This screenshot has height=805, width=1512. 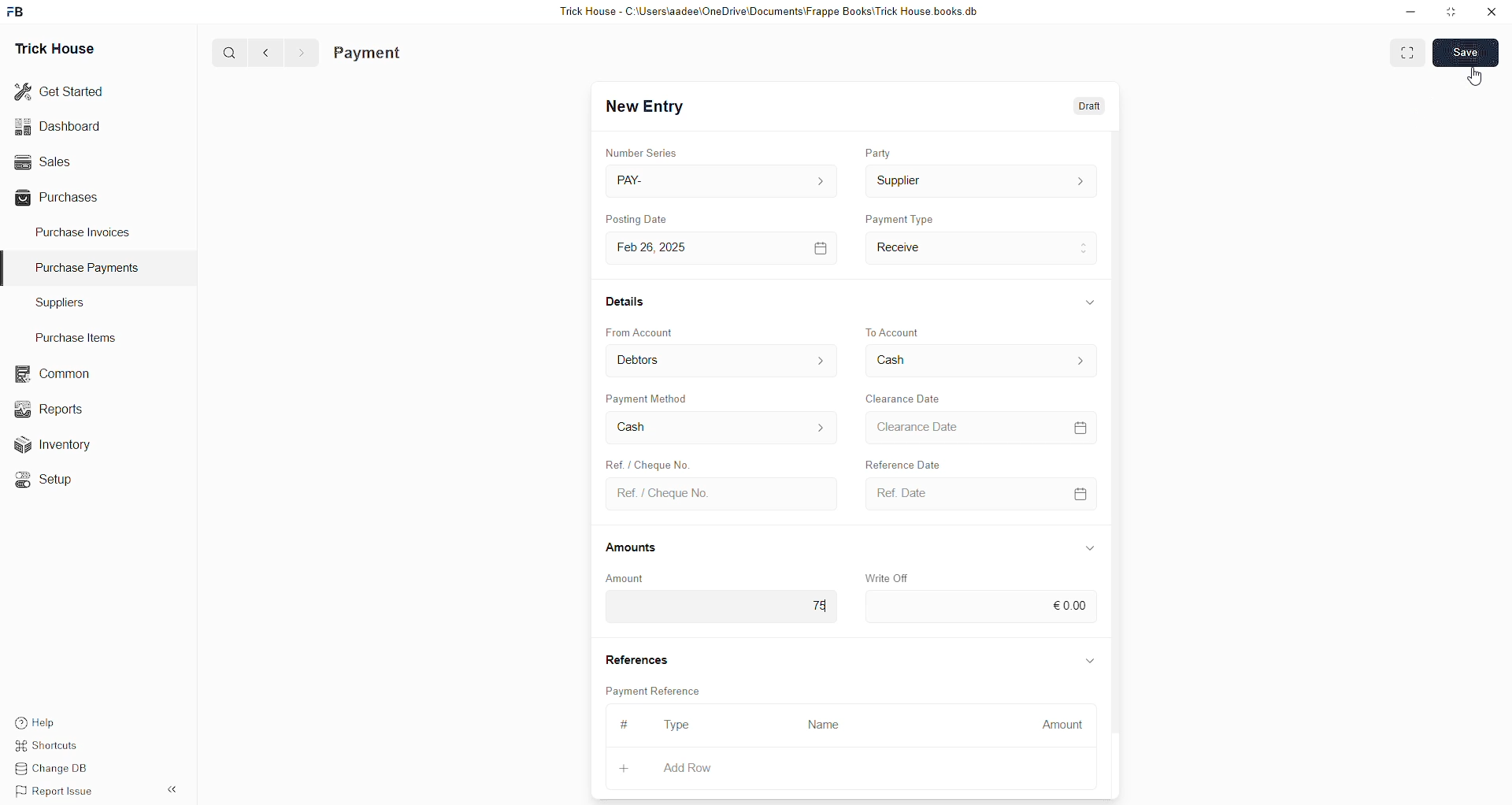 I want to click on Payment Reference, so click(x=653, y=690).